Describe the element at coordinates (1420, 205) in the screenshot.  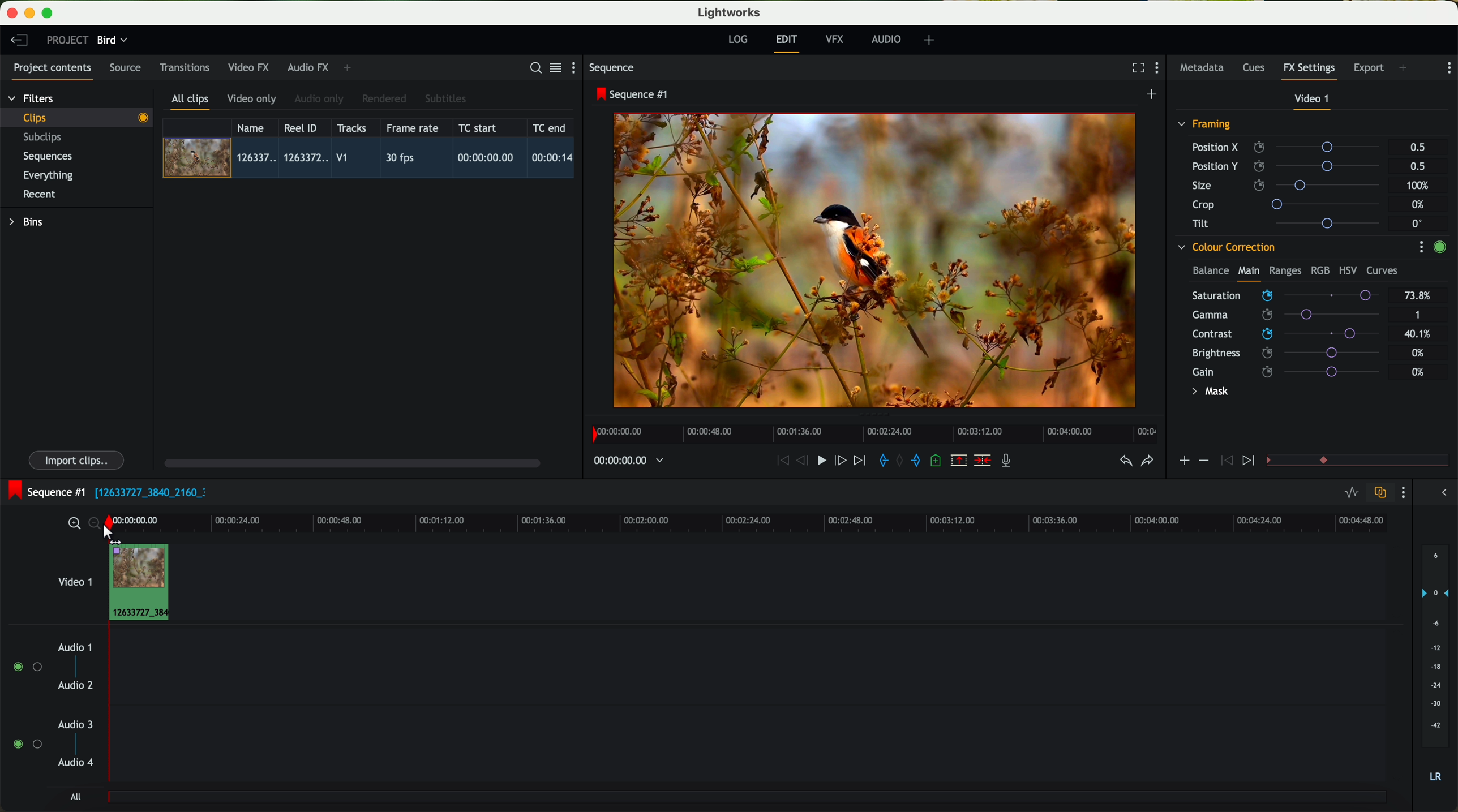
I see `0%` at that location.